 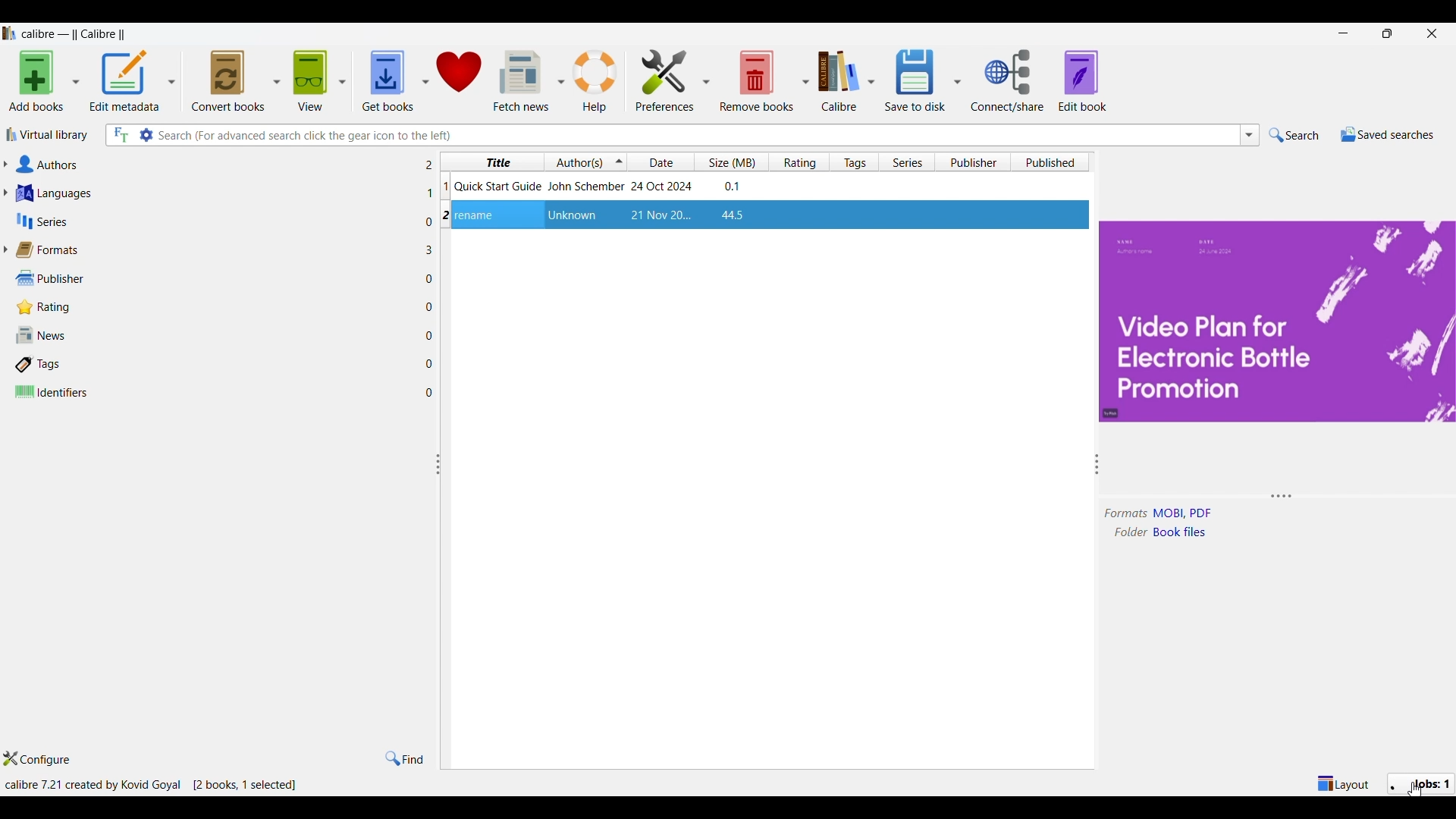 I want to click on Jobs changed, so click(x=1417, y=785).